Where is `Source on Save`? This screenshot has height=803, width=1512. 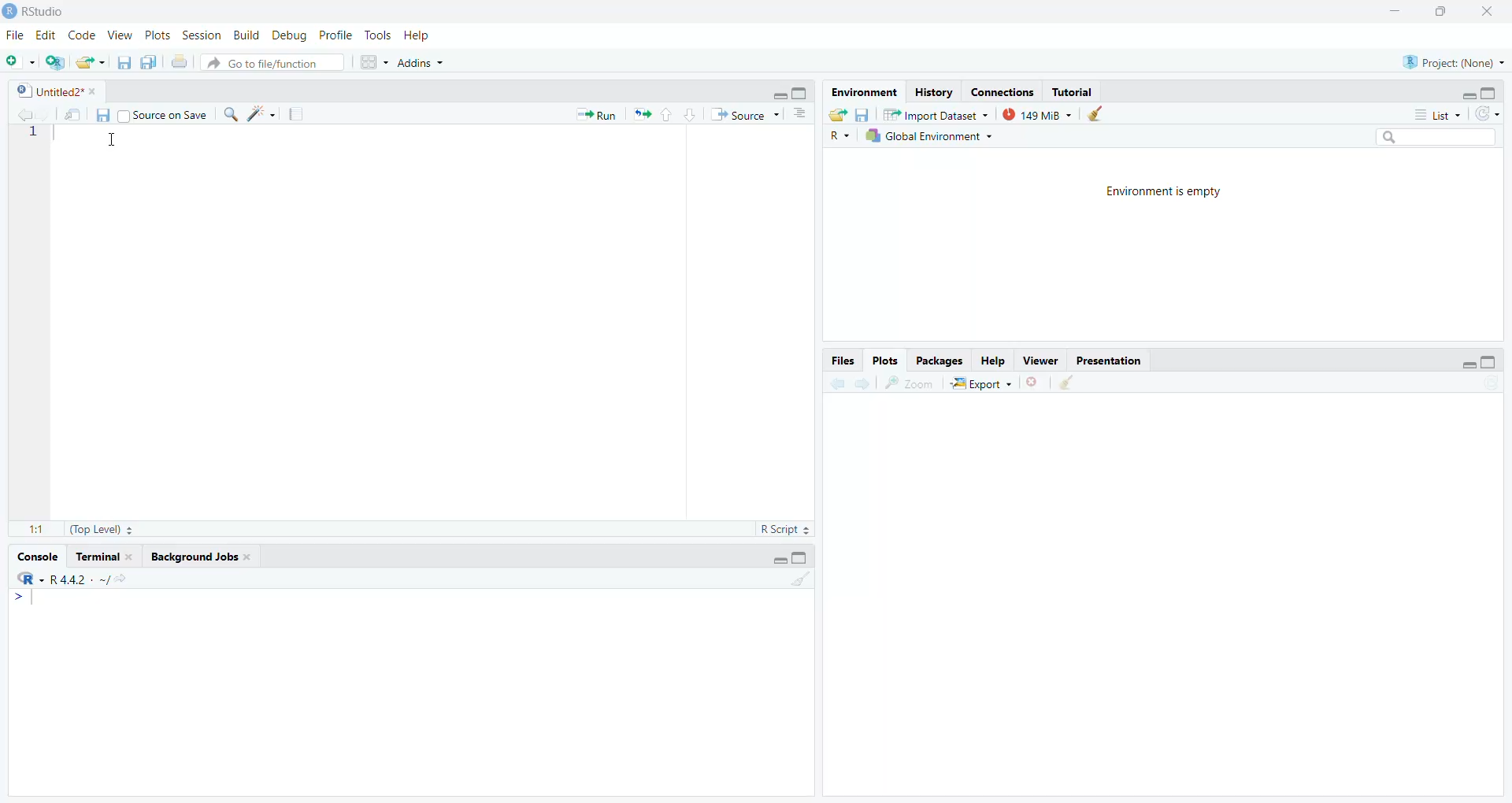 Source on Save is located at coordinates (165, 116).